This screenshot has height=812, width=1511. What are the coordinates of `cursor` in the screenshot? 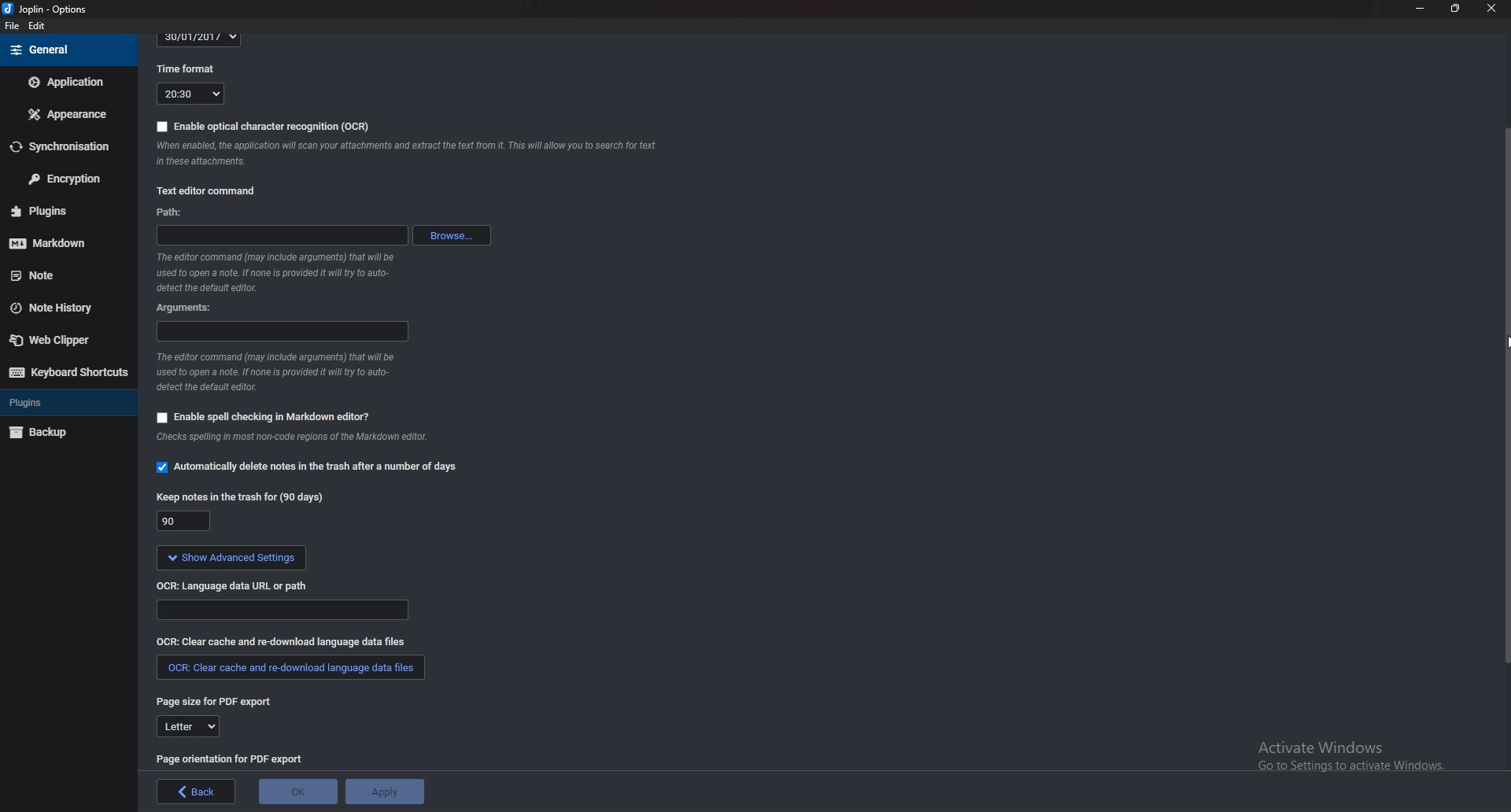 It's located at (1506, 342).